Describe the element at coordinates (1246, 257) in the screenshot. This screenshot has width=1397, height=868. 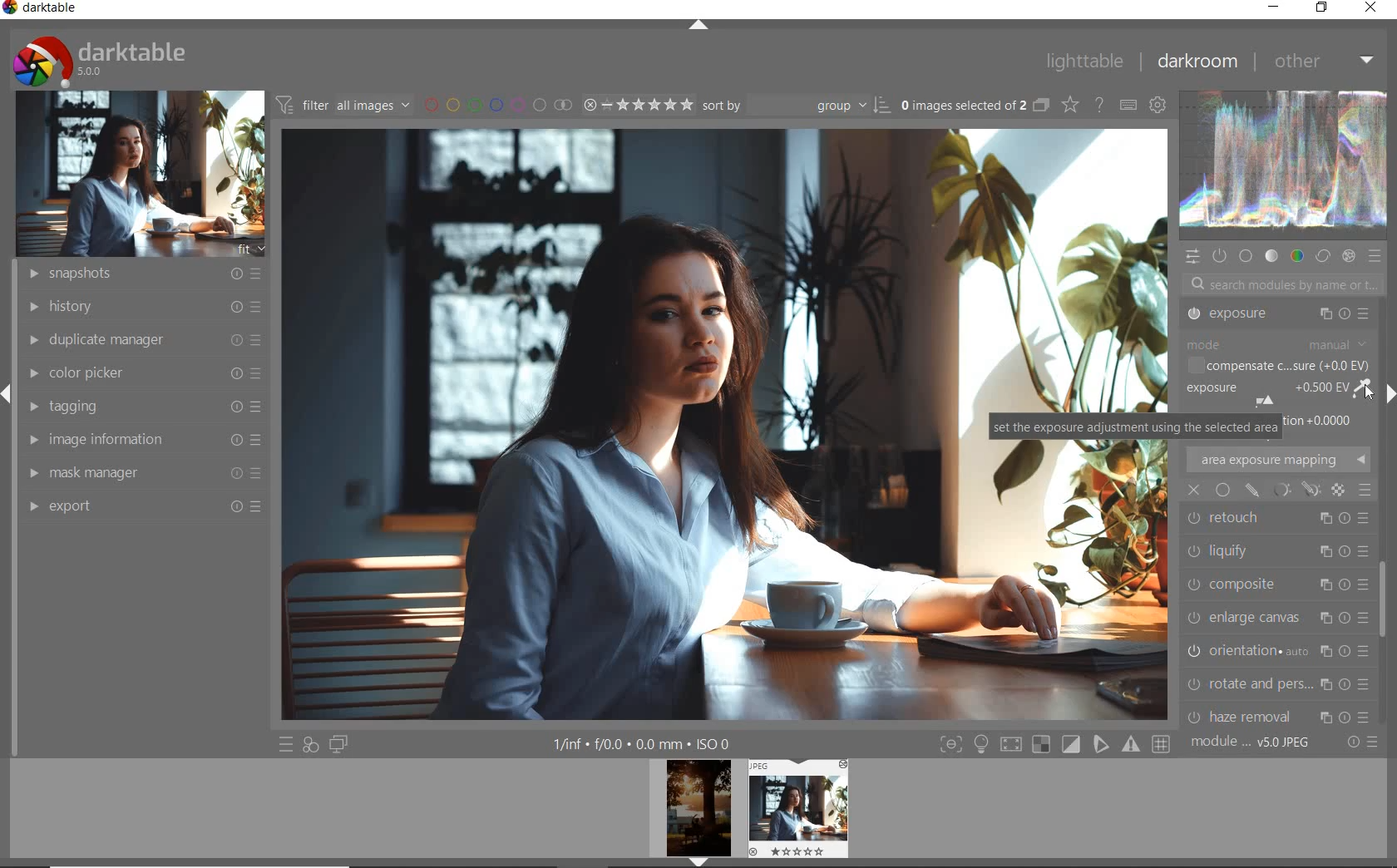
I see `BASE` at that location.